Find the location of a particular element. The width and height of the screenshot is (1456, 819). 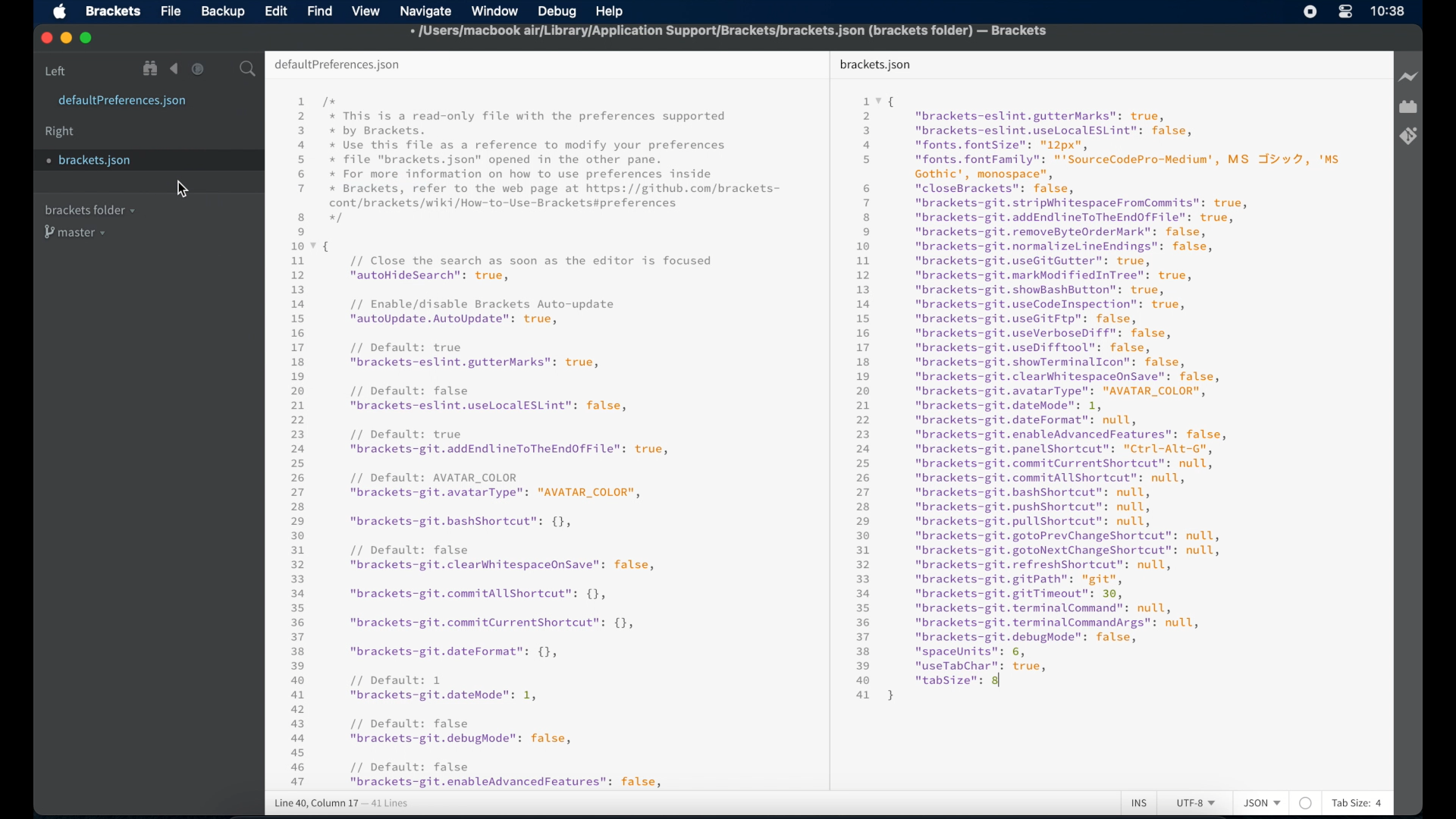

defaultpreferences.json is located at coordinates (122, 101).